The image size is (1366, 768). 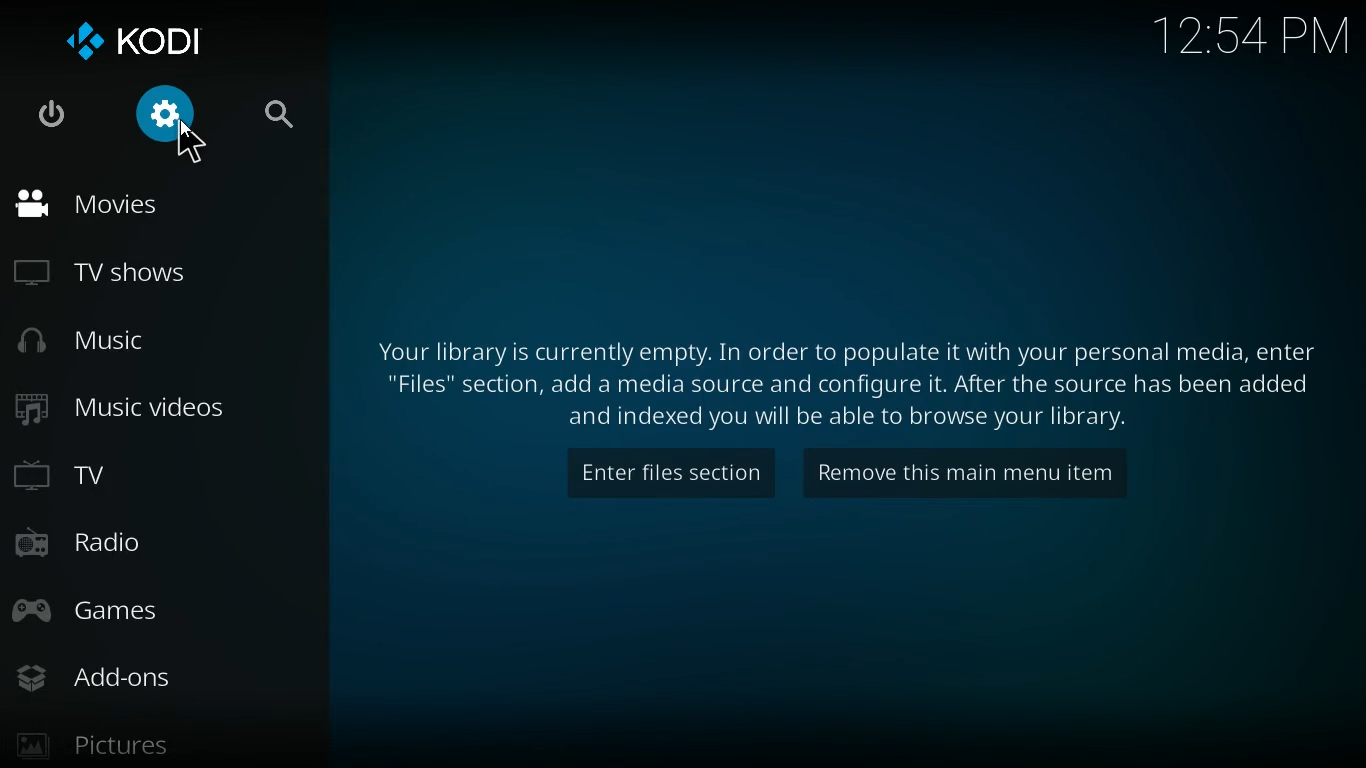 What do you see at coordinates (976, 475) in the screenshot?
I see `remove` at bounding box center [976, 475].